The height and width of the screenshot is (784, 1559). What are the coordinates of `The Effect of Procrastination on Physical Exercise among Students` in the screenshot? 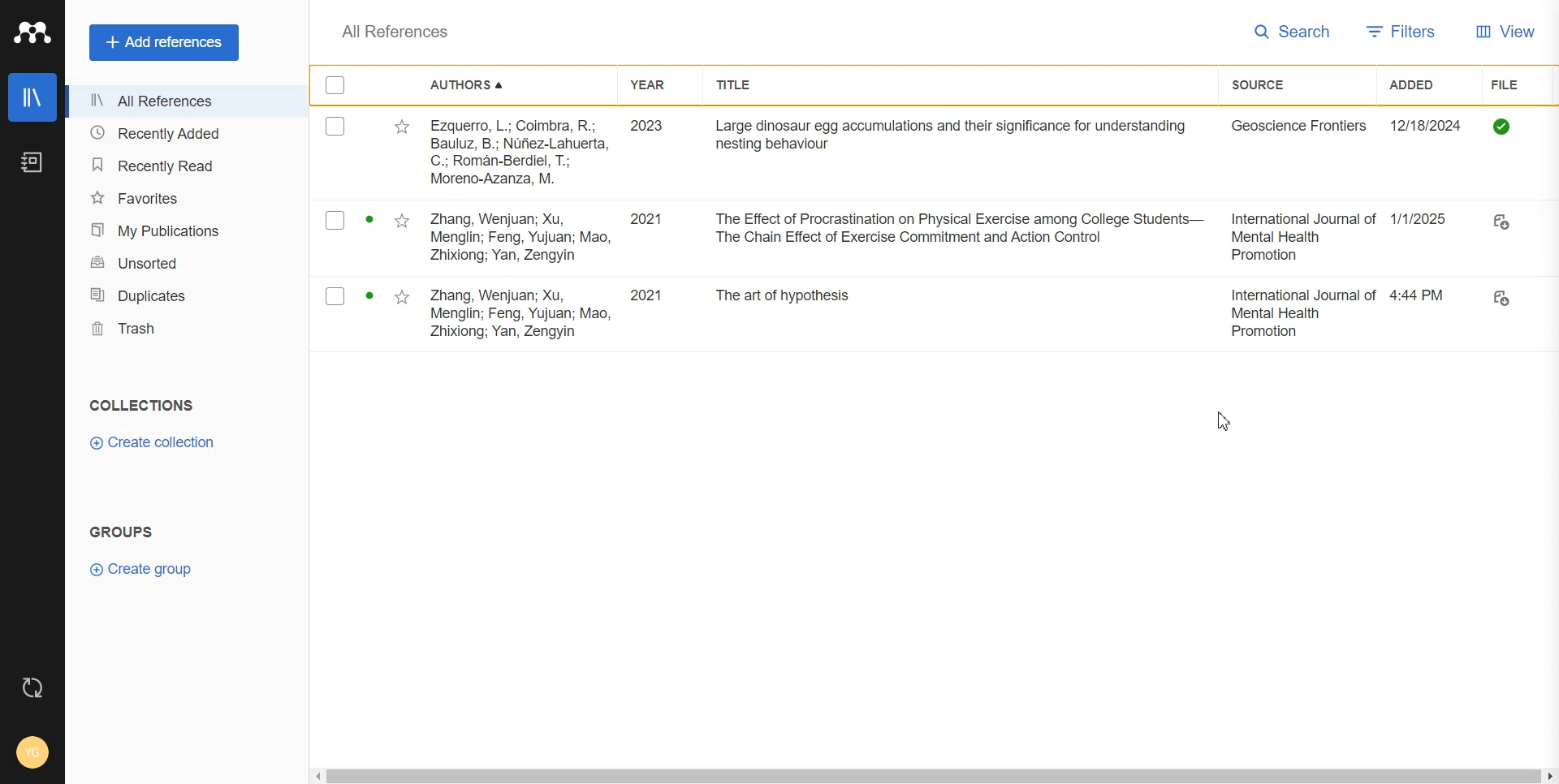 It's located at (958, 227).